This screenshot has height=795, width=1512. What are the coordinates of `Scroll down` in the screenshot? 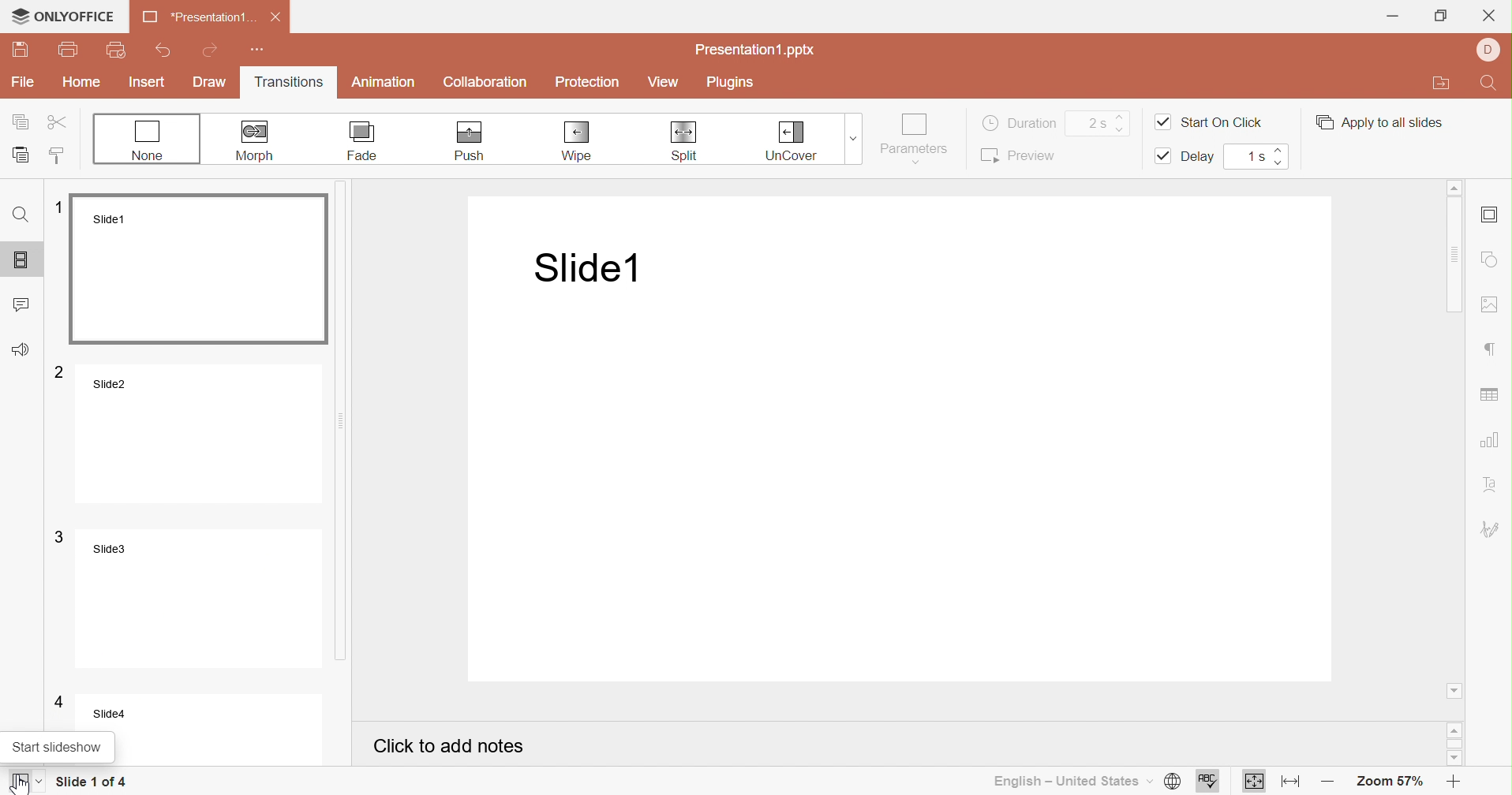 It's located at (1454, 691).